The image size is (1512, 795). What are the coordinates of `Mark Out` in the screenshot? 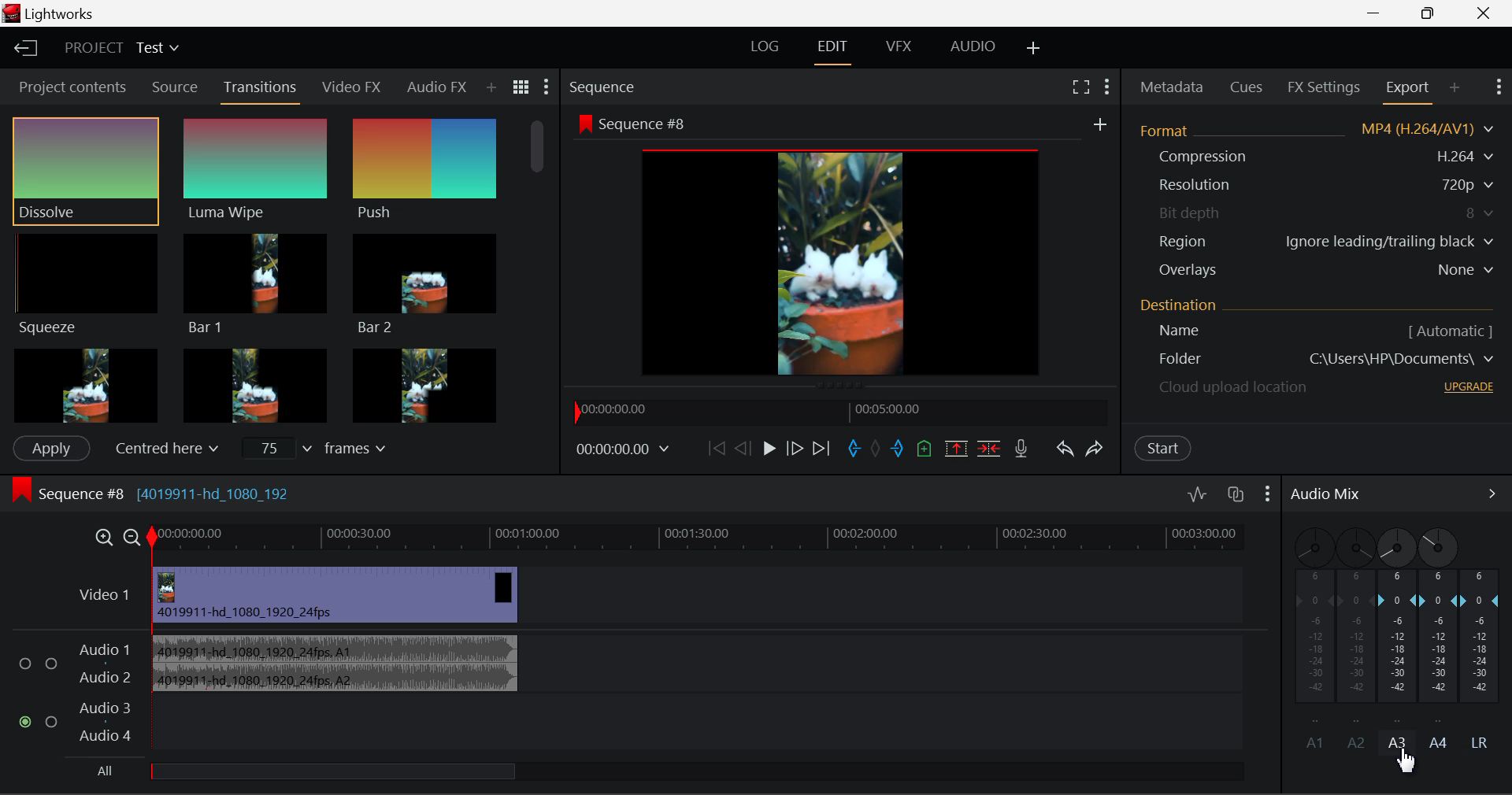 It's located at (899, 449).